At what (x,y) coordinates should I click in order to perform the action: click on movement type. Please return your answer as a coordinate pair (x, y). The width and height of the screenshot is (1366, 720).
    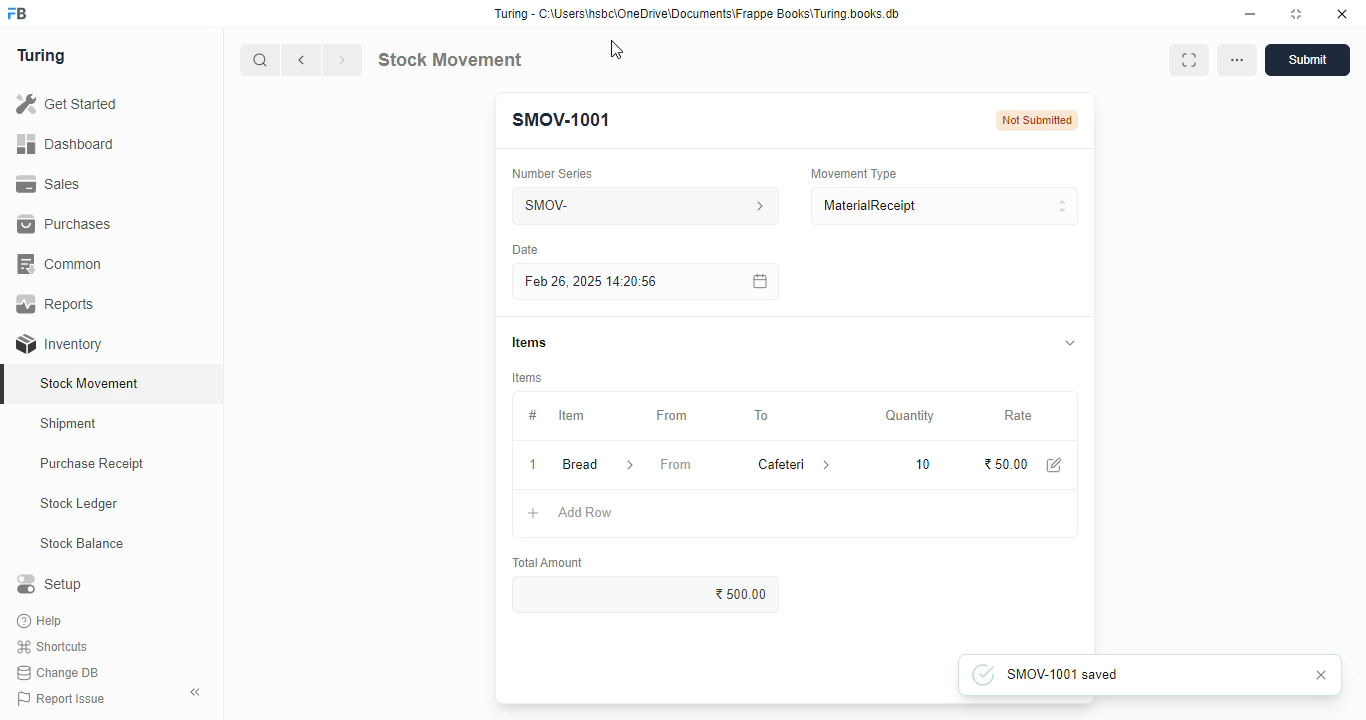
    Looking at the image, I should click on (853, 173).